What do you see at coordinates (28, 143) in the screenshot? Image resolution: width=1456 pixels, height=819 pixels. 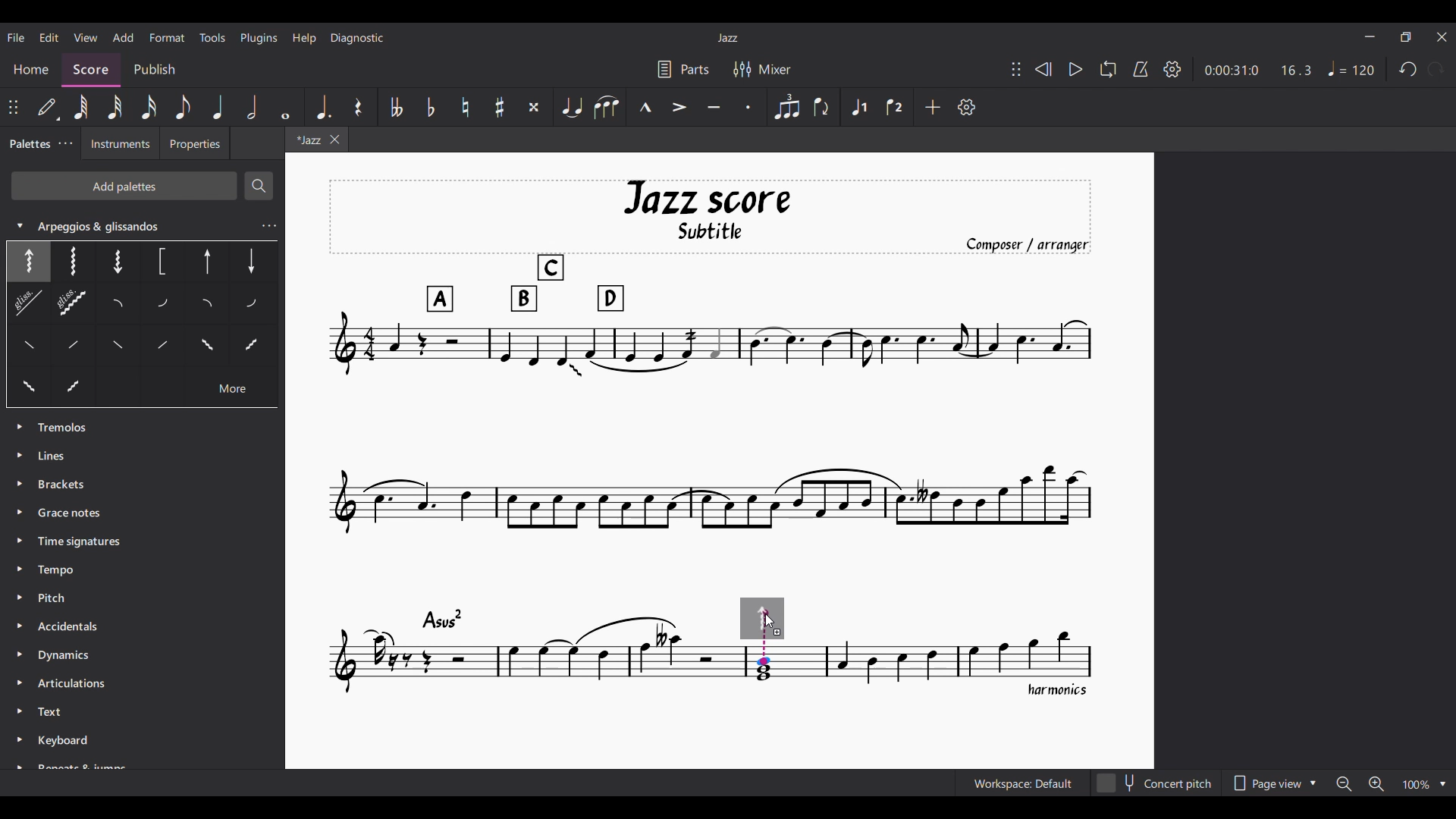 I see `Palettes` at bounding box center [28, 143].